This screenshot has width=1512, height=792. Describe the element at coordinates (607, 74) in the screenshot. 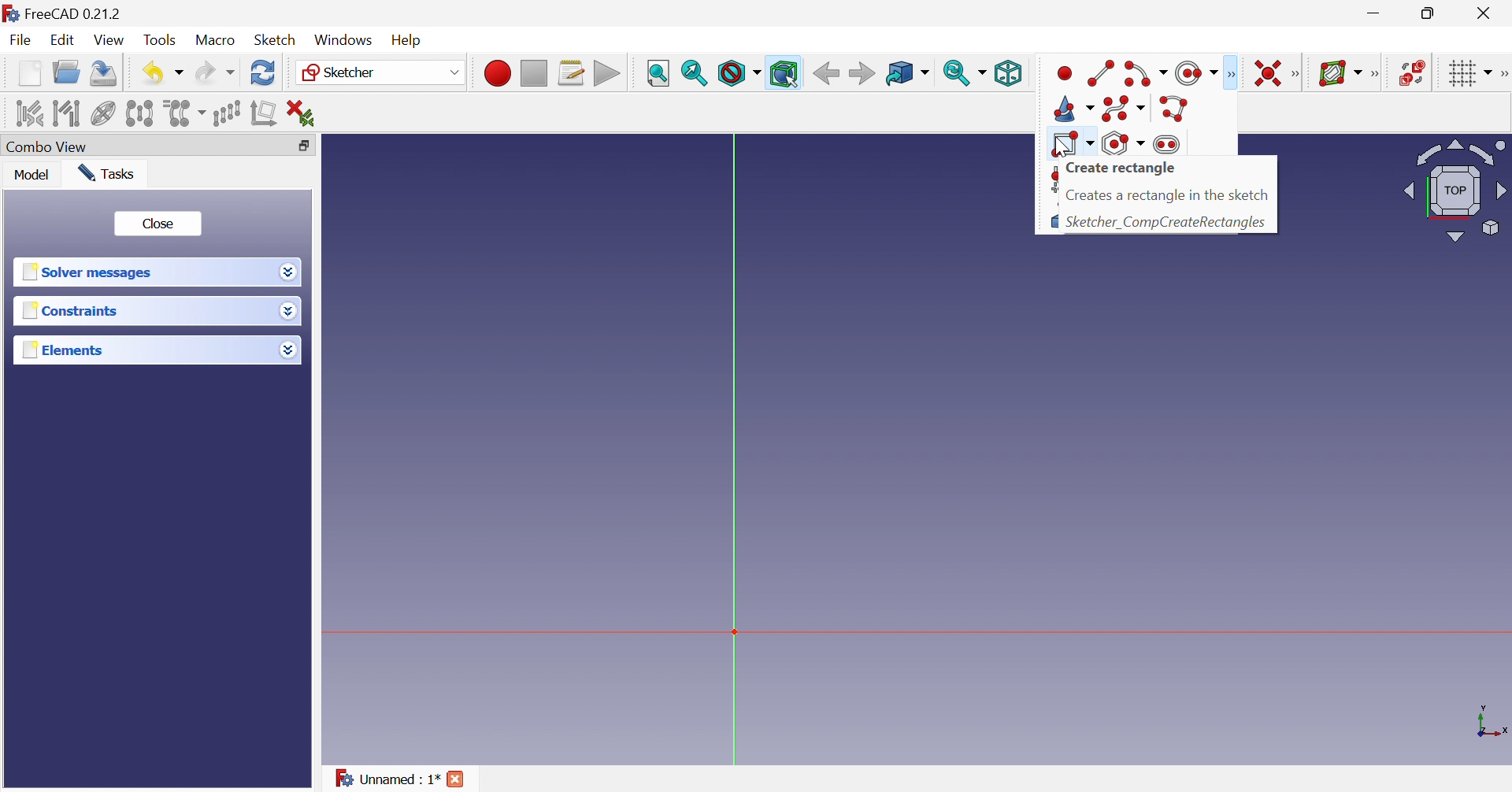

I see `Execute macro` at that location.